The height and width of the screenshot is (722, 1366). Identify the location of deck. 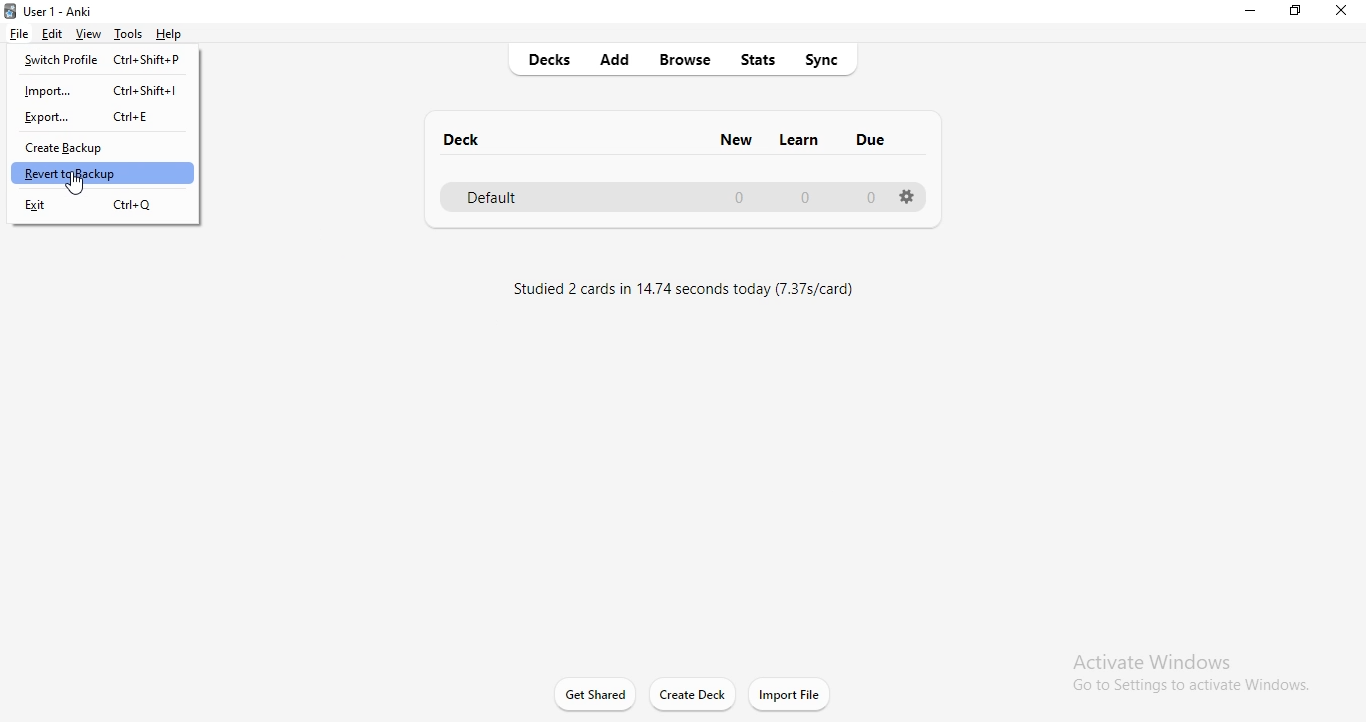
(464, 138).